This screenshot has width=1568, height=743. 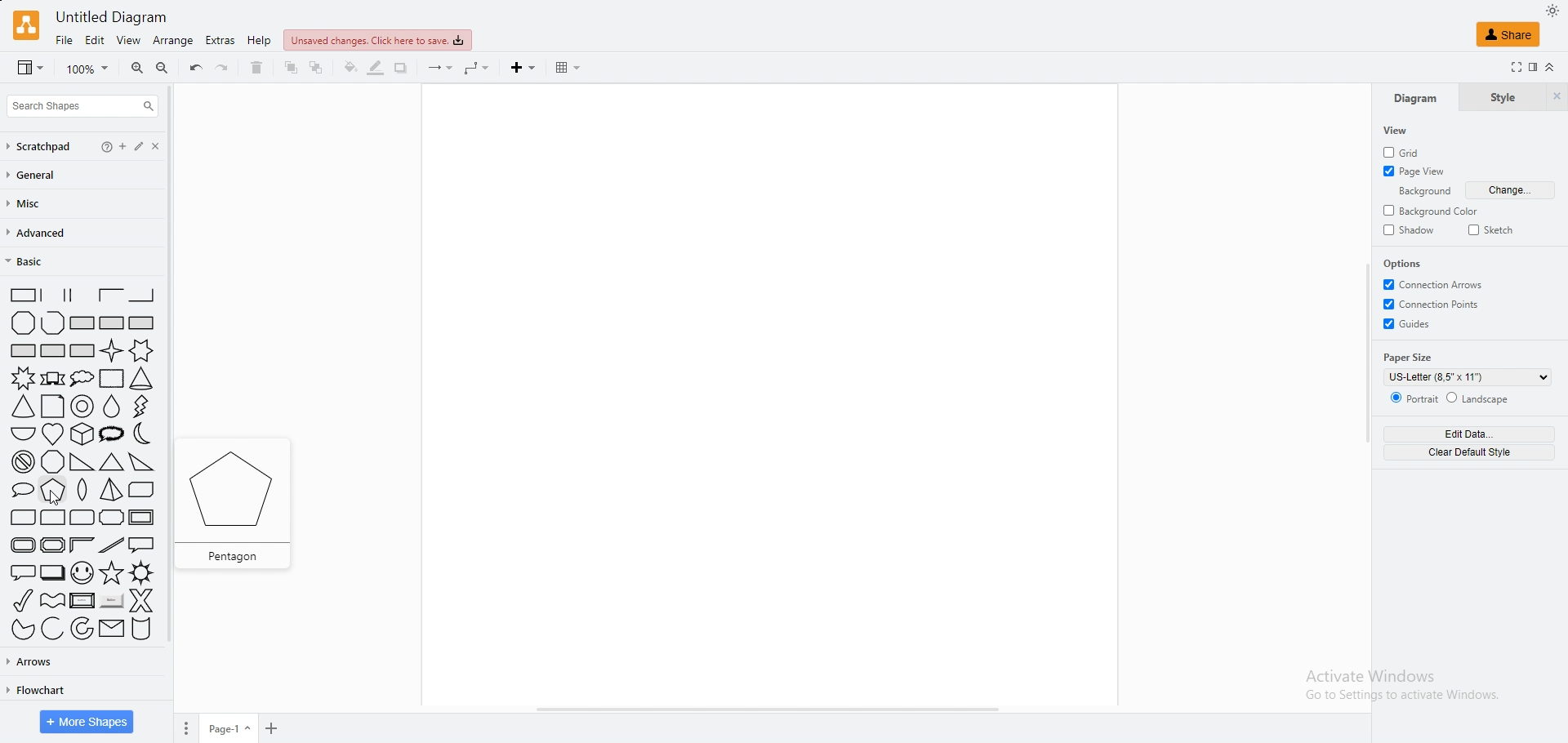 What do you see at coordinates (20, 462) in the screenshot?
I see `no symbol` at bounding box center [20, 462].